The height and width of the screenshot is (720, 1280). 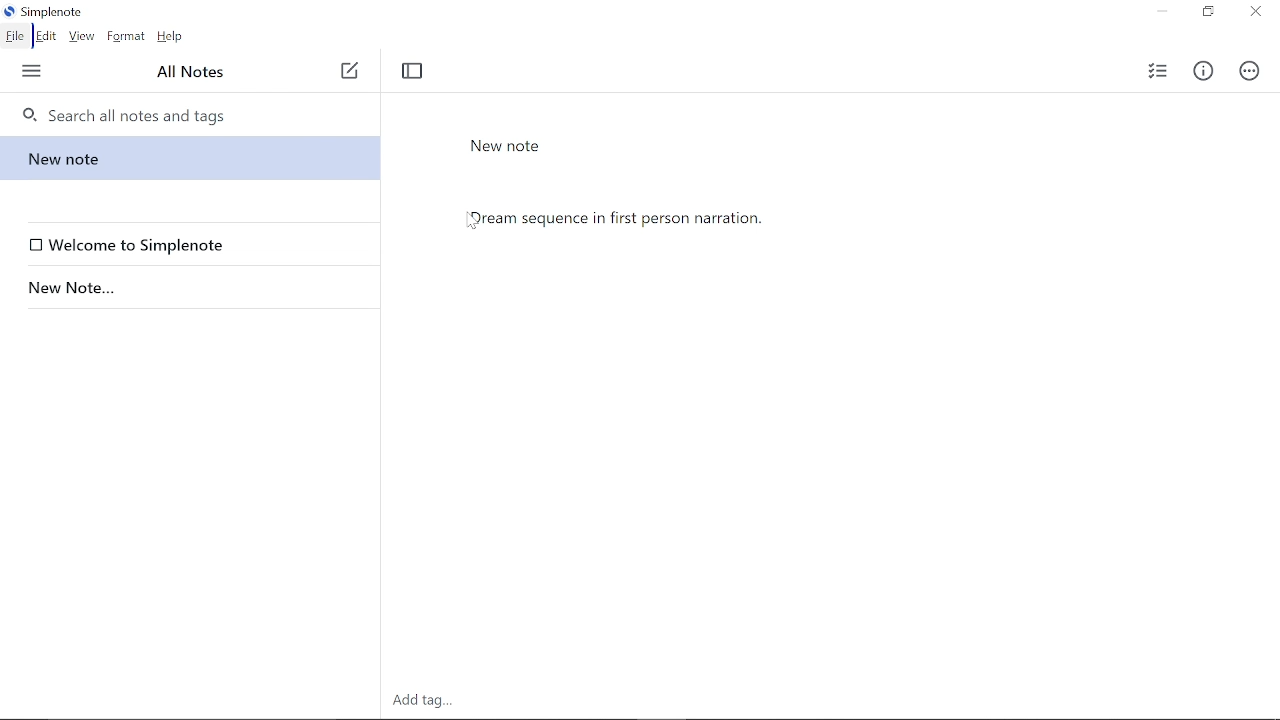 What do you see at coordinates (713, 146) in the screenshot?
I see `Space for title` at bounding box center [713, 146].